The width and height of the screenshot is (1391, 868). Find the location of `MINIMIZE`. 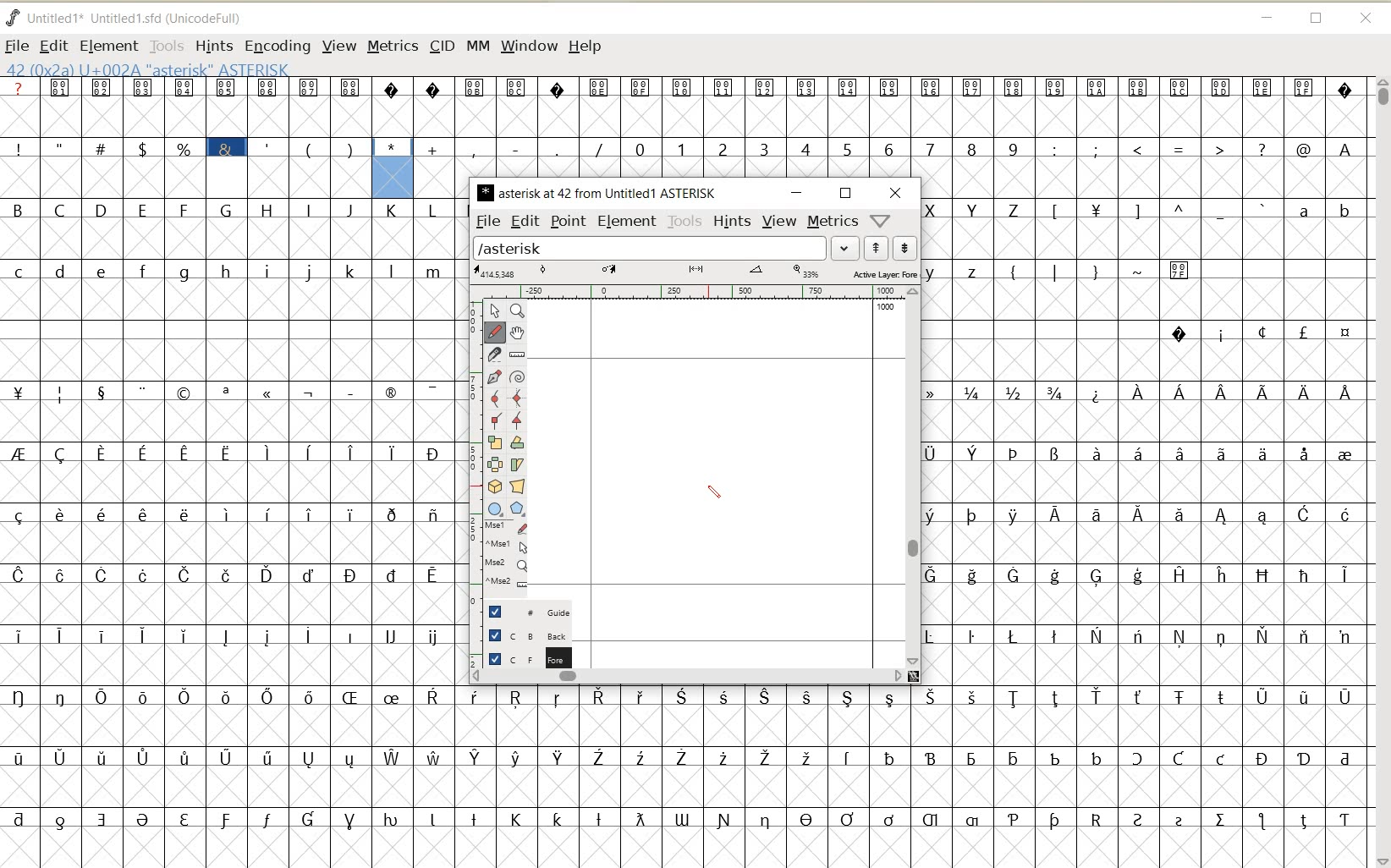

MINIMIZE is located at coordinates (798, 193).